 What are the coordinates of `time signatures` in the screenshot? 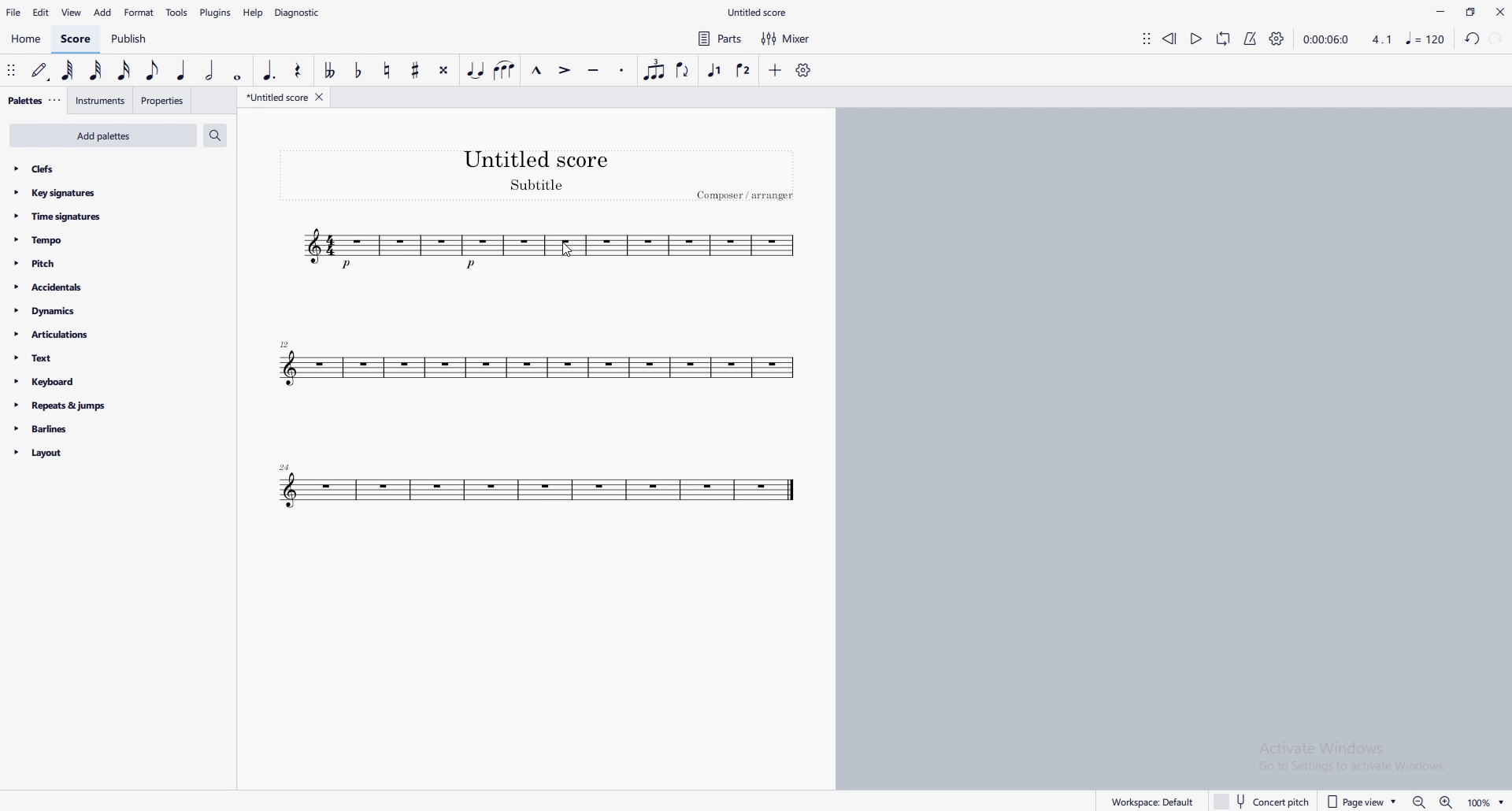 It's located at (102, 217).